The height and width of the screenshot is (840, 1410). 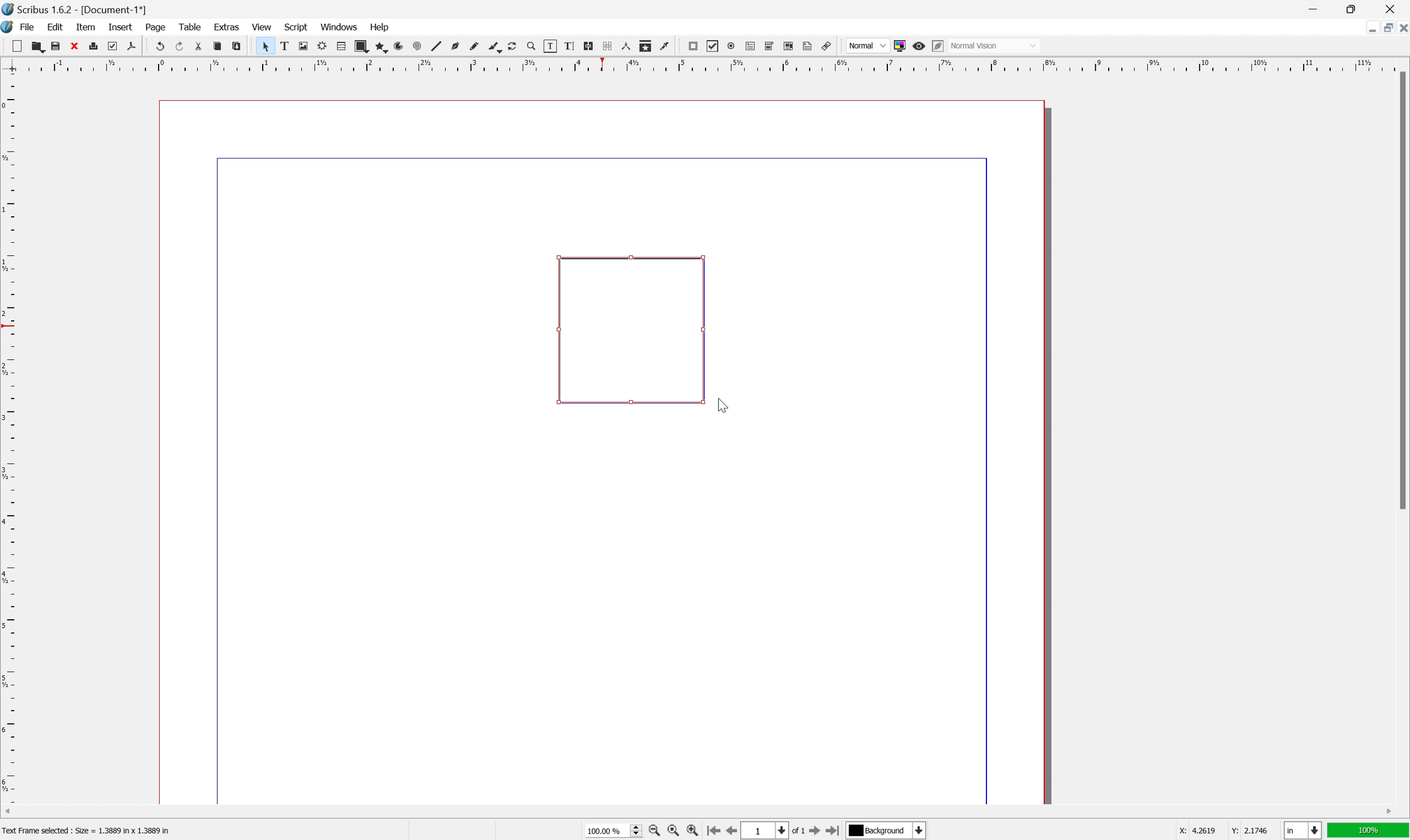 What do you see at coordinates (339, 26) in the screenshot?
I see `windows` at bounding box center [339, 26].